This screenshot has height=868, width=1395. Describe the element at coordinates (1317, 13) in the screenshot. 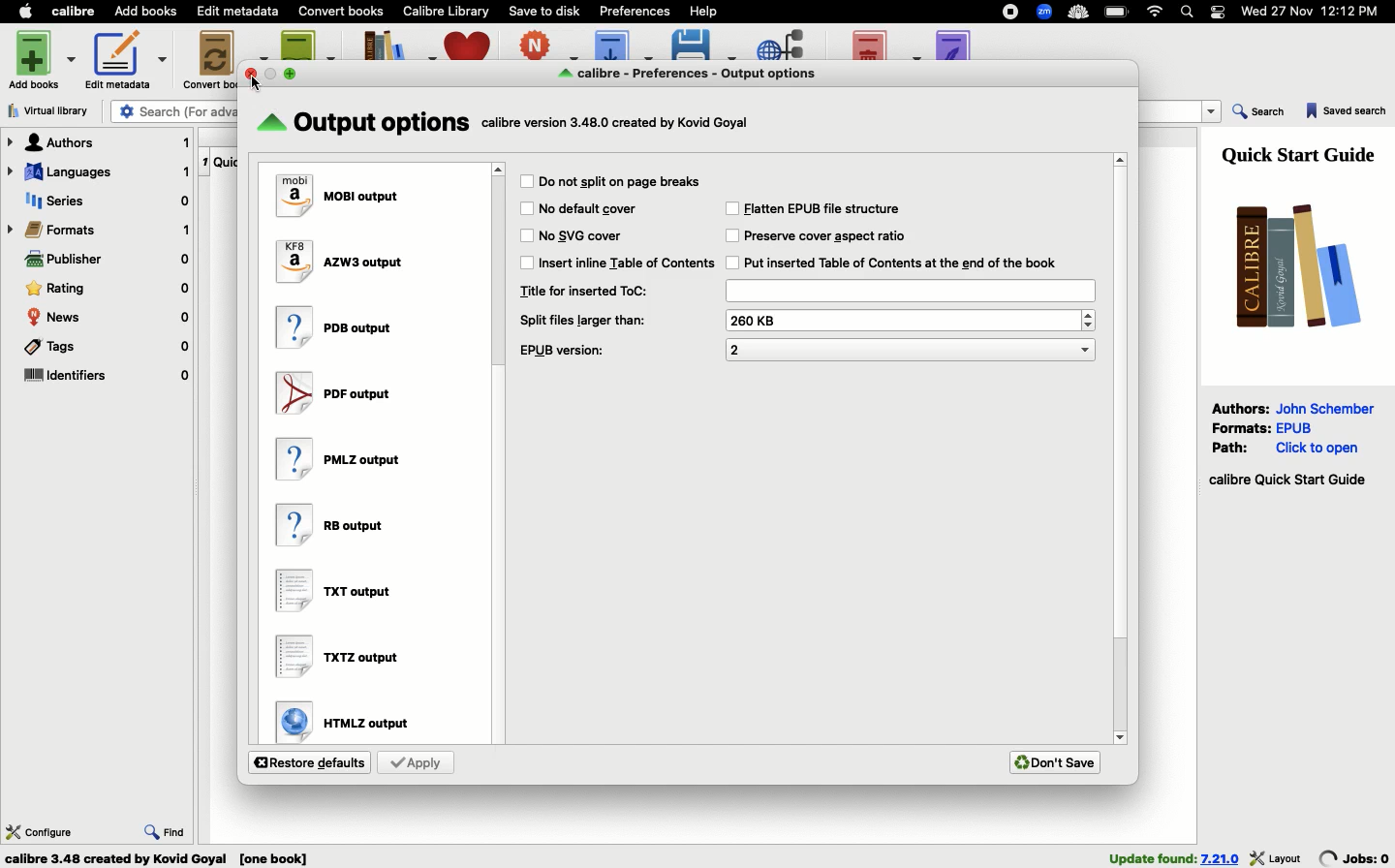

I see `Date` at that location.